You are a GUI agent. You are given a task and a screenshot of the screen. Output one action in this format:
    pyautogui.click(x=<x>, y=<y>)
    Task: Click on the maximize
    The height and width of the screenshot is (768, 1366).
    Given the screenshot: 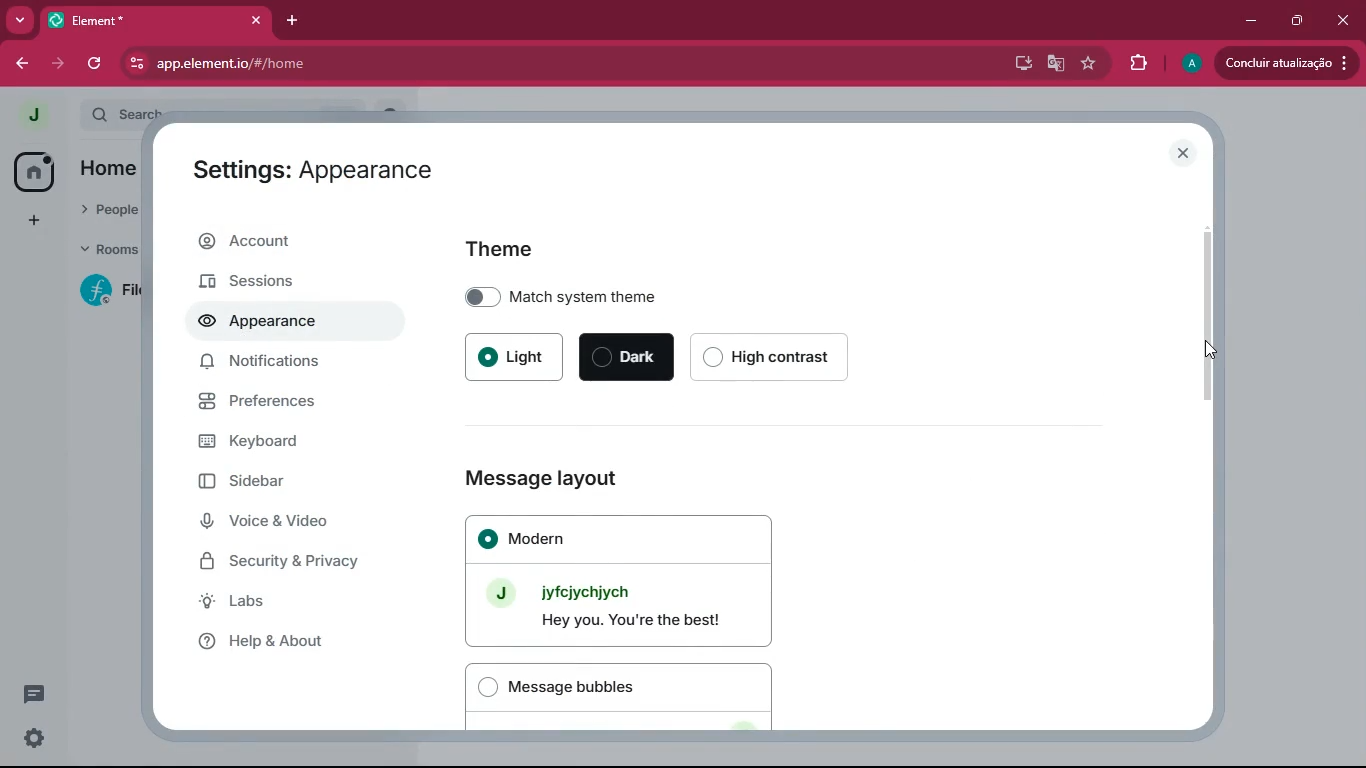 What is the action you would take?
    pyautogui.click(x=1301, y=19)
    